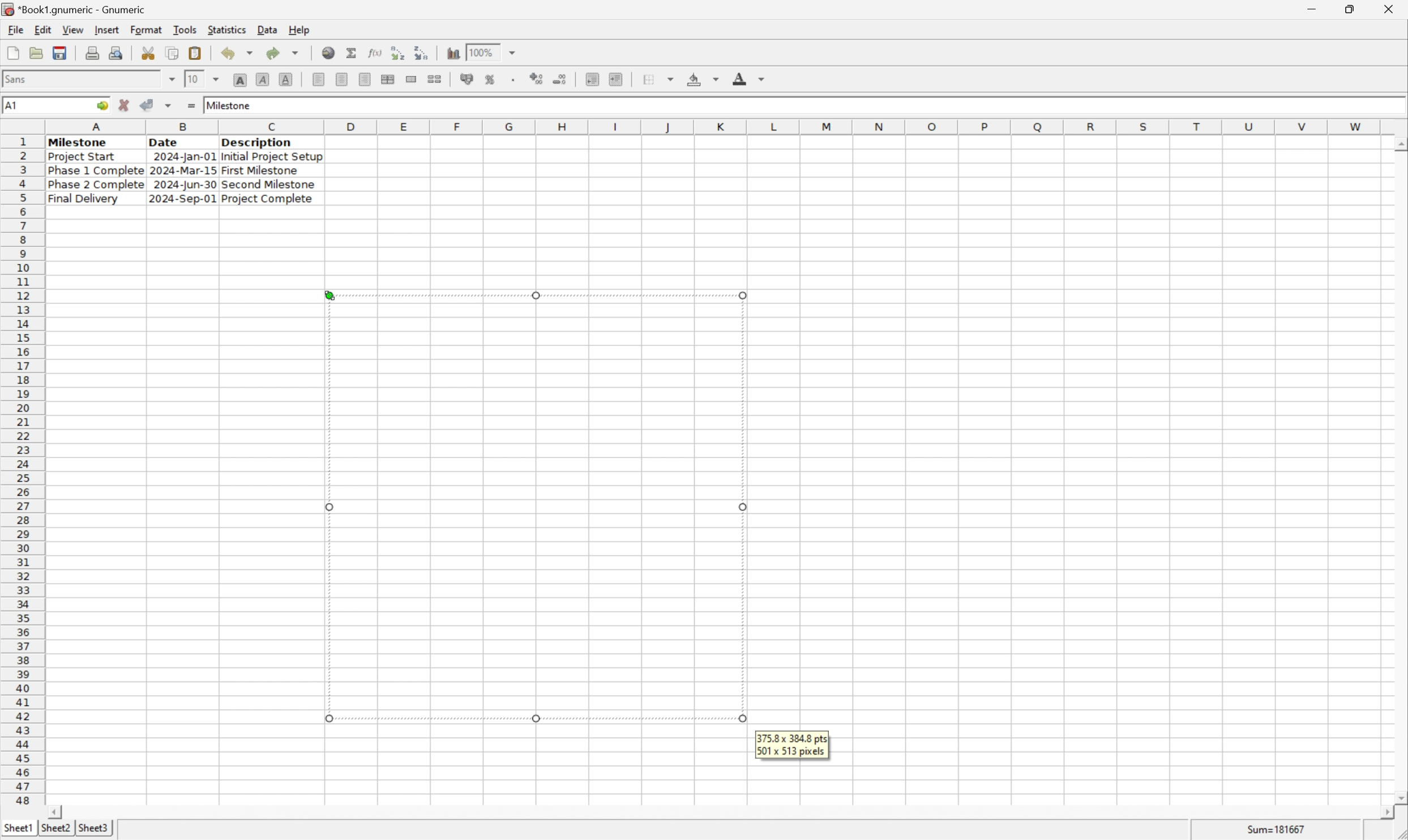 Image resolution: width=1408 pixels, height=840 pixels. I want to click on Sort the selected region in descending order based on the first column selected, so click(422, 52).